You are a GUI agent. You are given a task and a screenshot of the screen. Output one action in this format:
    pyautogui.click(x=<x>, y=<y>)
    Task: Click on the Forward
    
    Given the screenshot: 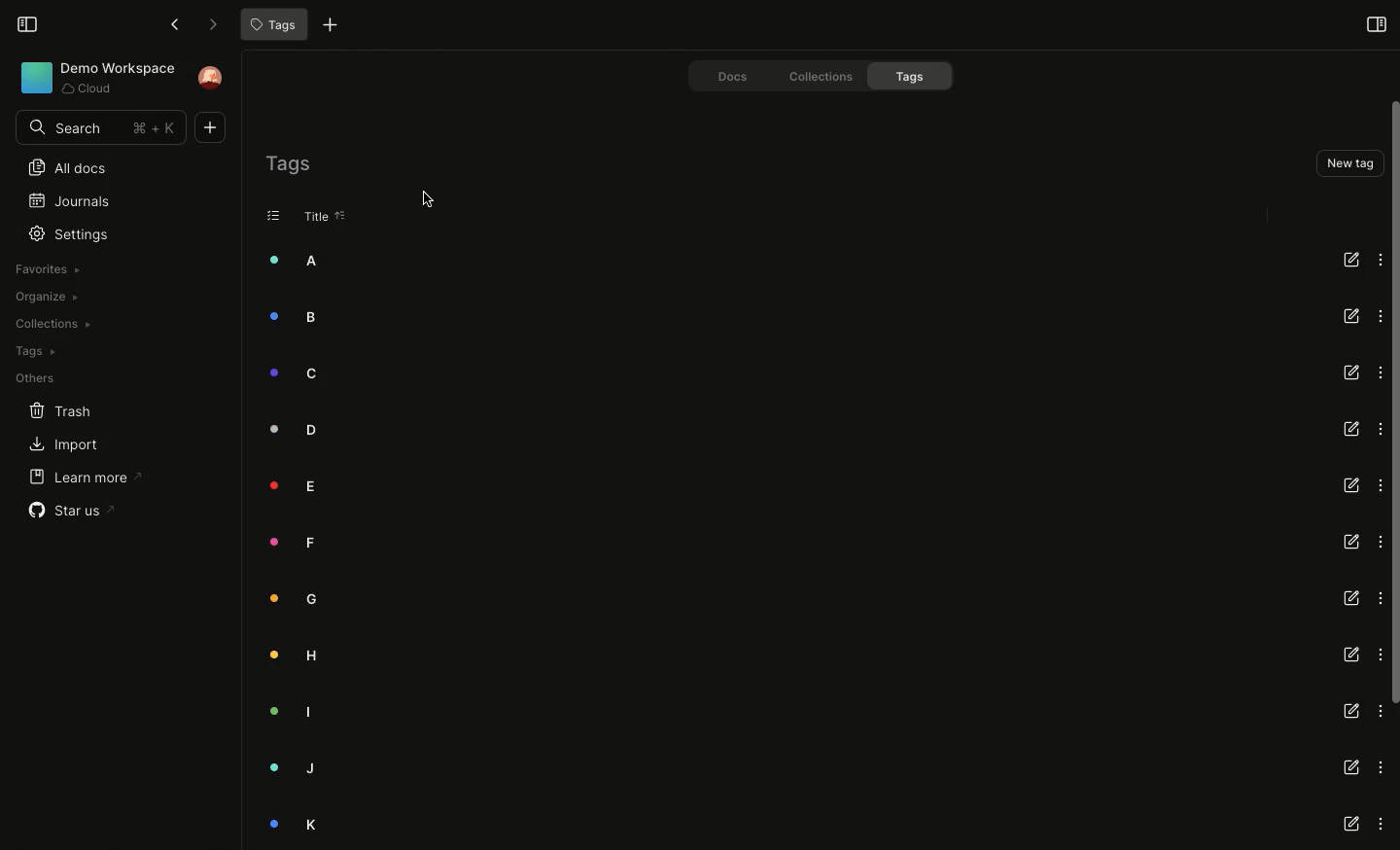 What is the action you would take?
    pyautogui.click(x=207, y=24)
    